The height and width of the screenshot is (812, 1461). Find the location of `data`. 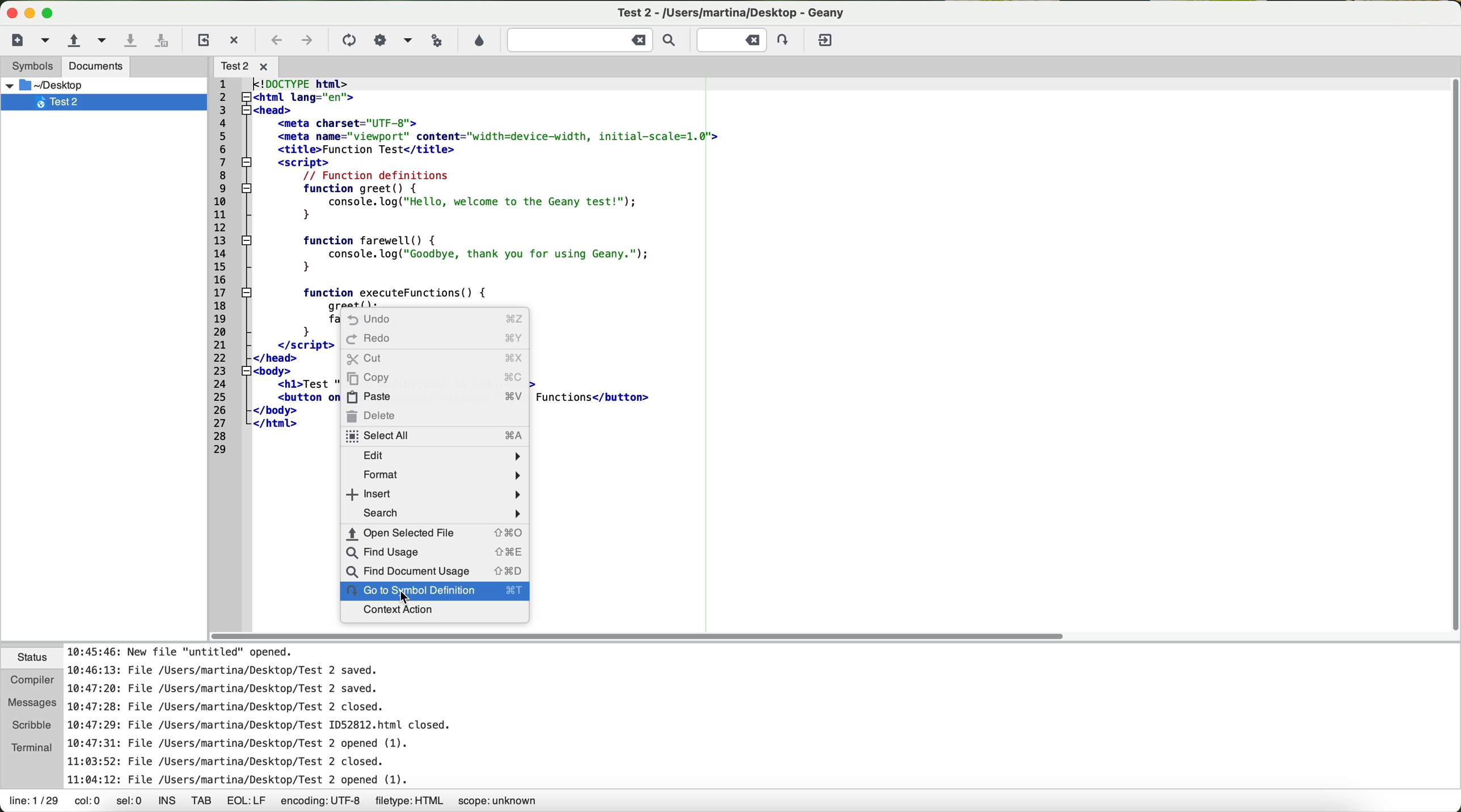

data is located at coordinates (275, 802).